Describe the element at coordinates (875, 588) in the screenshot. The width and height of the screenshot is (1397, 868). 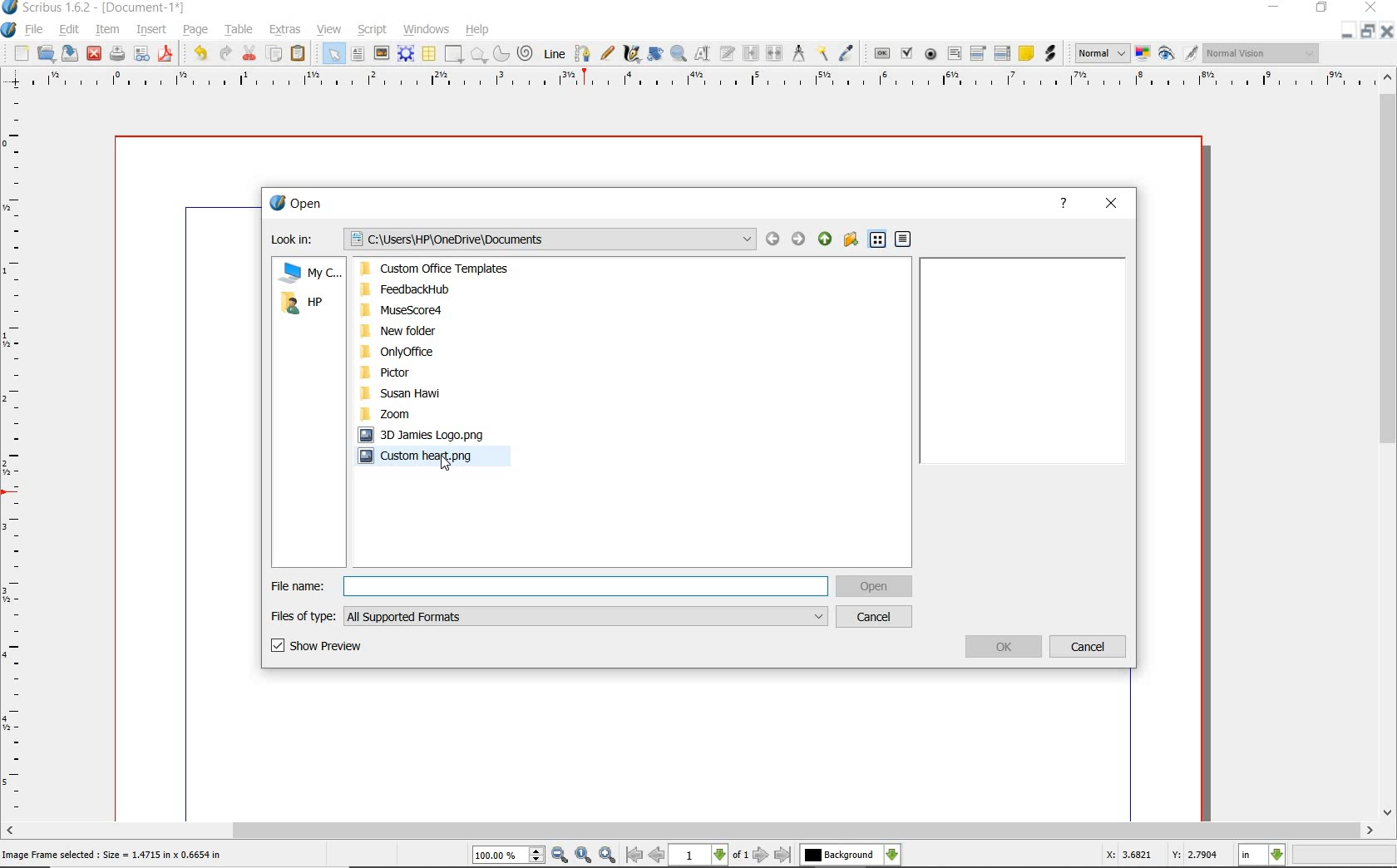
I see `open` at that location.